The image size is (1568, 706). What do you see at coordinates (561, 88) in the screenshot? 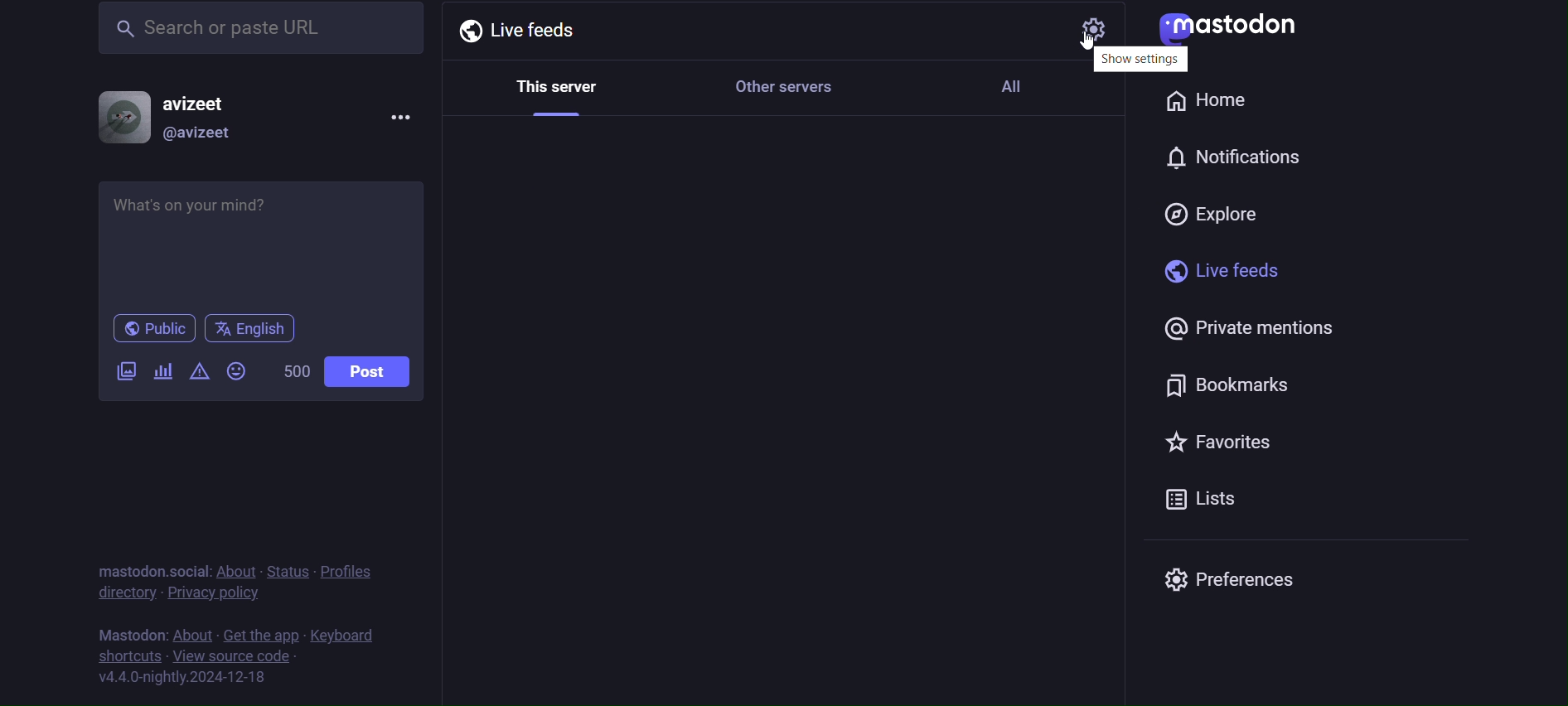
I see `This server` at bounding box center [561, 88].